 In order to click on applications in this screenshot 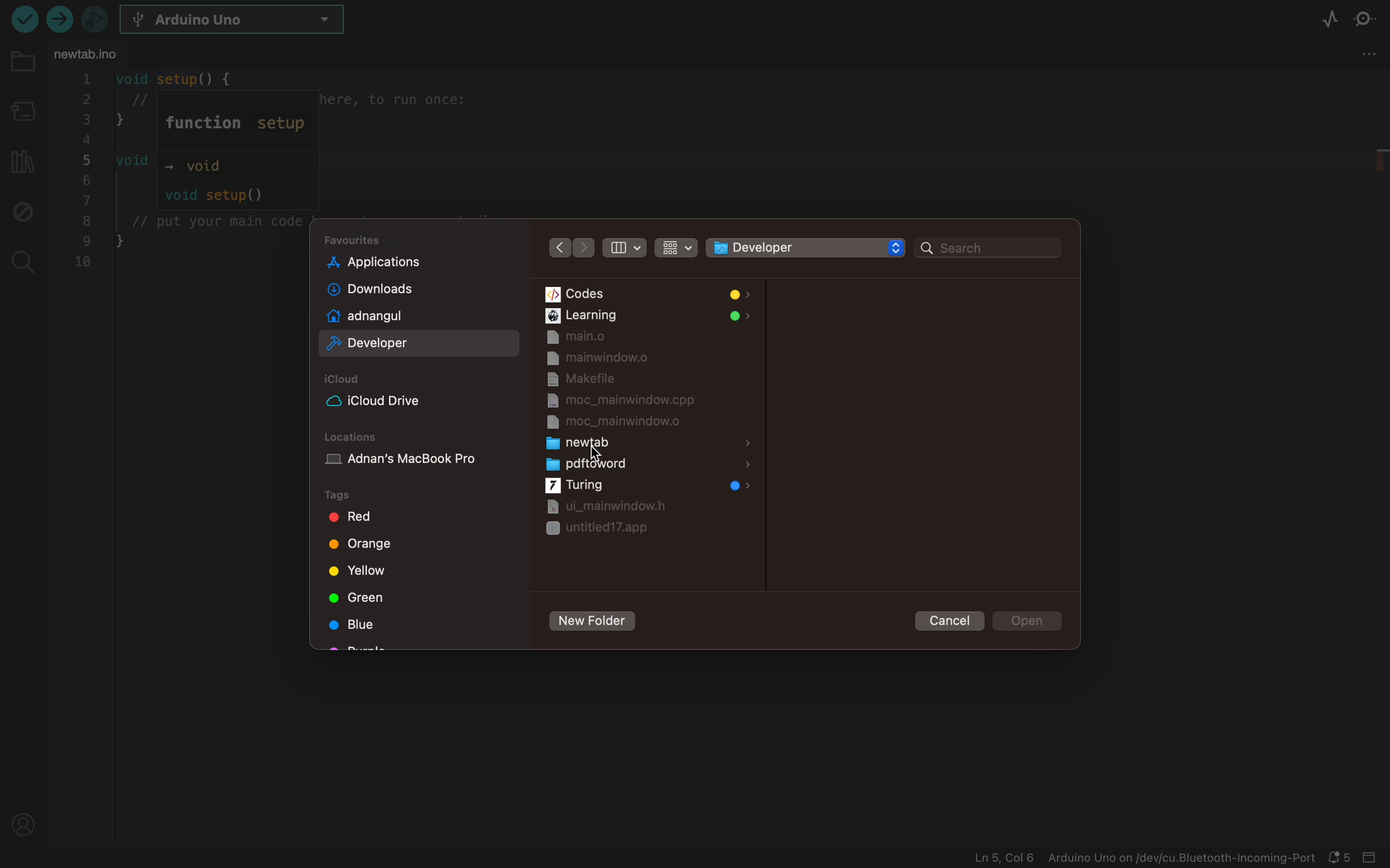, I will do `click(400, 262)`.